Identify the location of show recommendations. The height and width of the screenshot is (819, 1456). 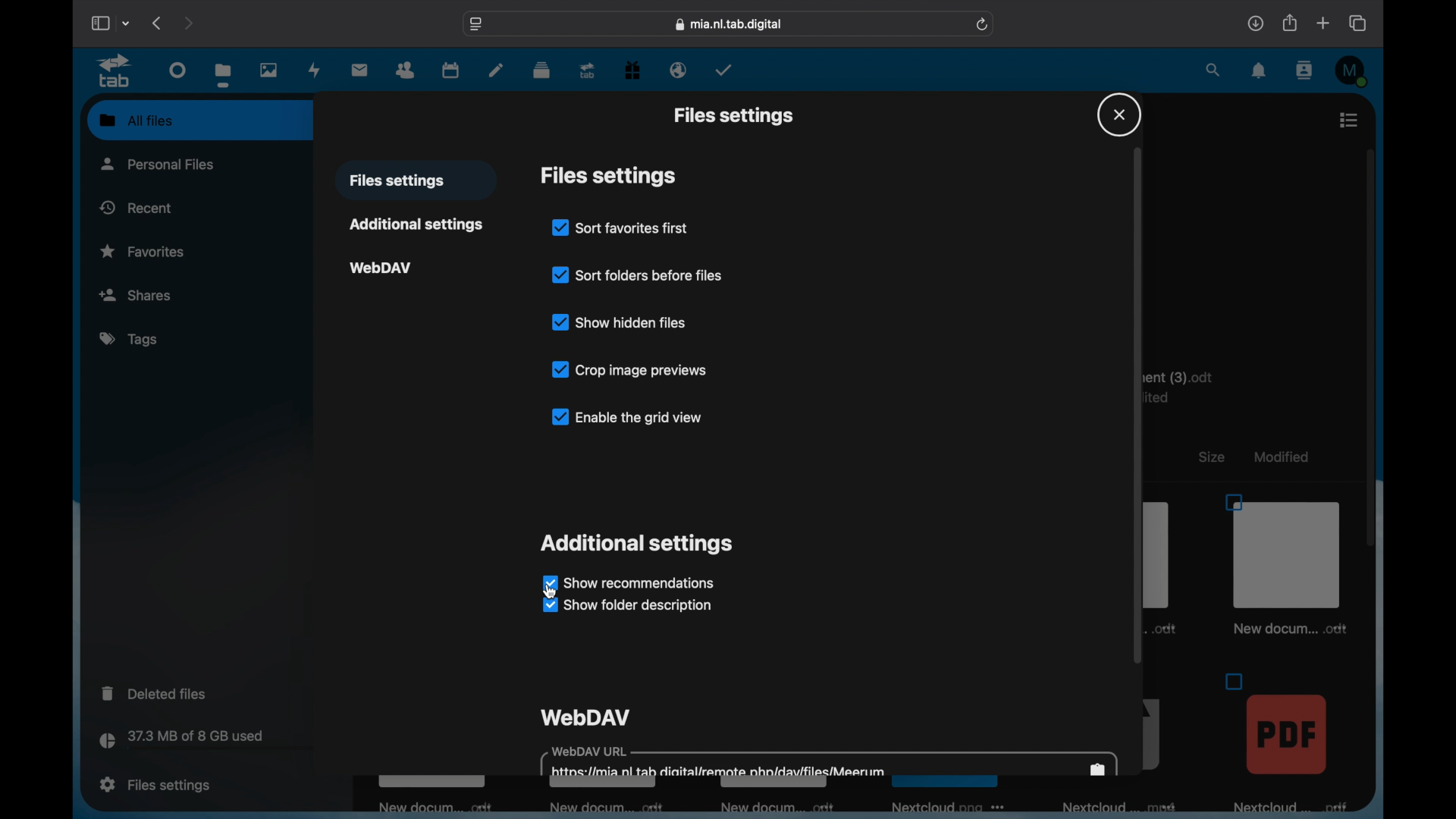
(631, 582).